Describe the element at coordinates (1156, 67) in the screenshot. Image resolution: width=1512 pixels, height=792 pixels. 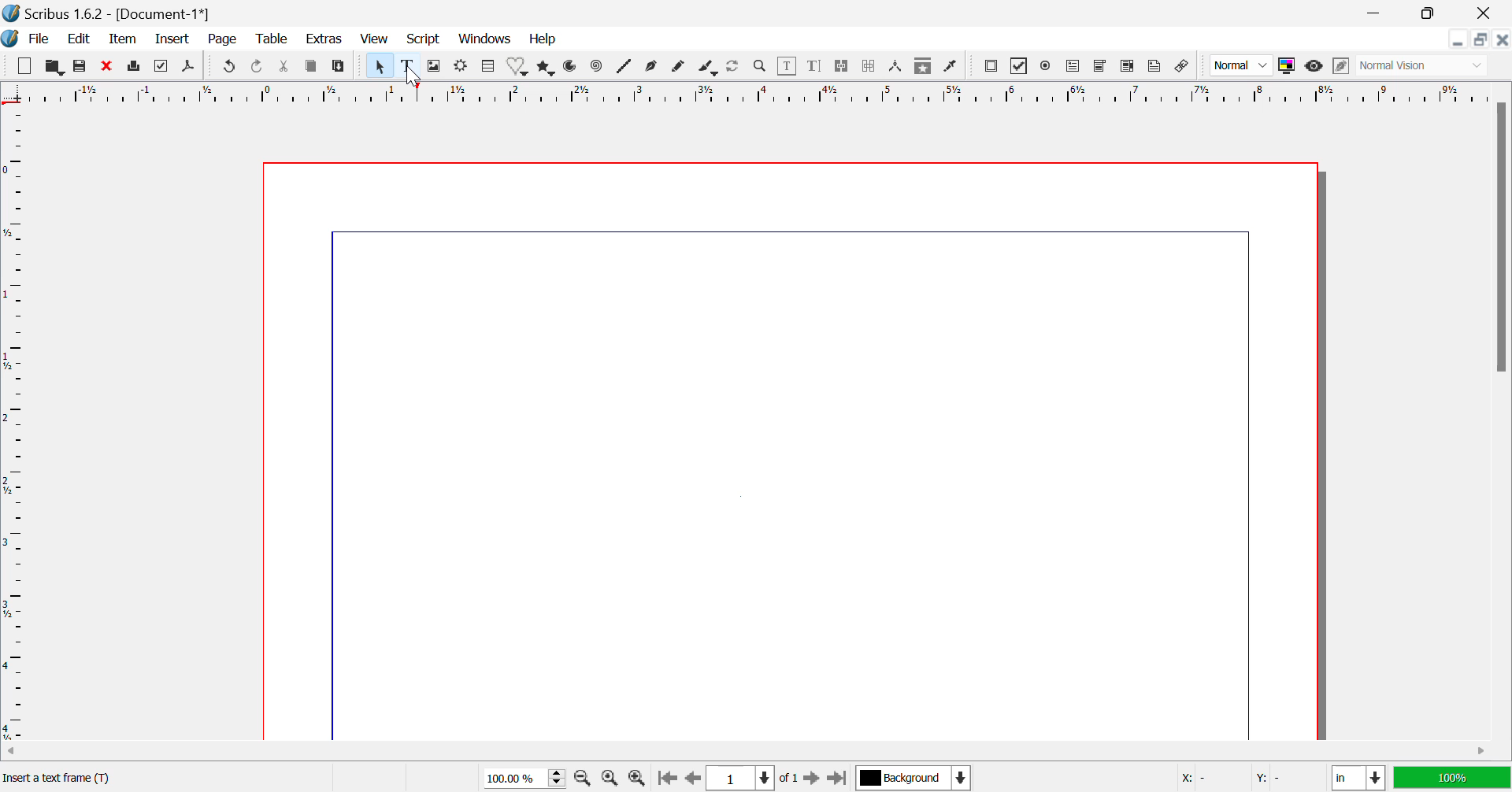
I see `Text Annotation` at that location.